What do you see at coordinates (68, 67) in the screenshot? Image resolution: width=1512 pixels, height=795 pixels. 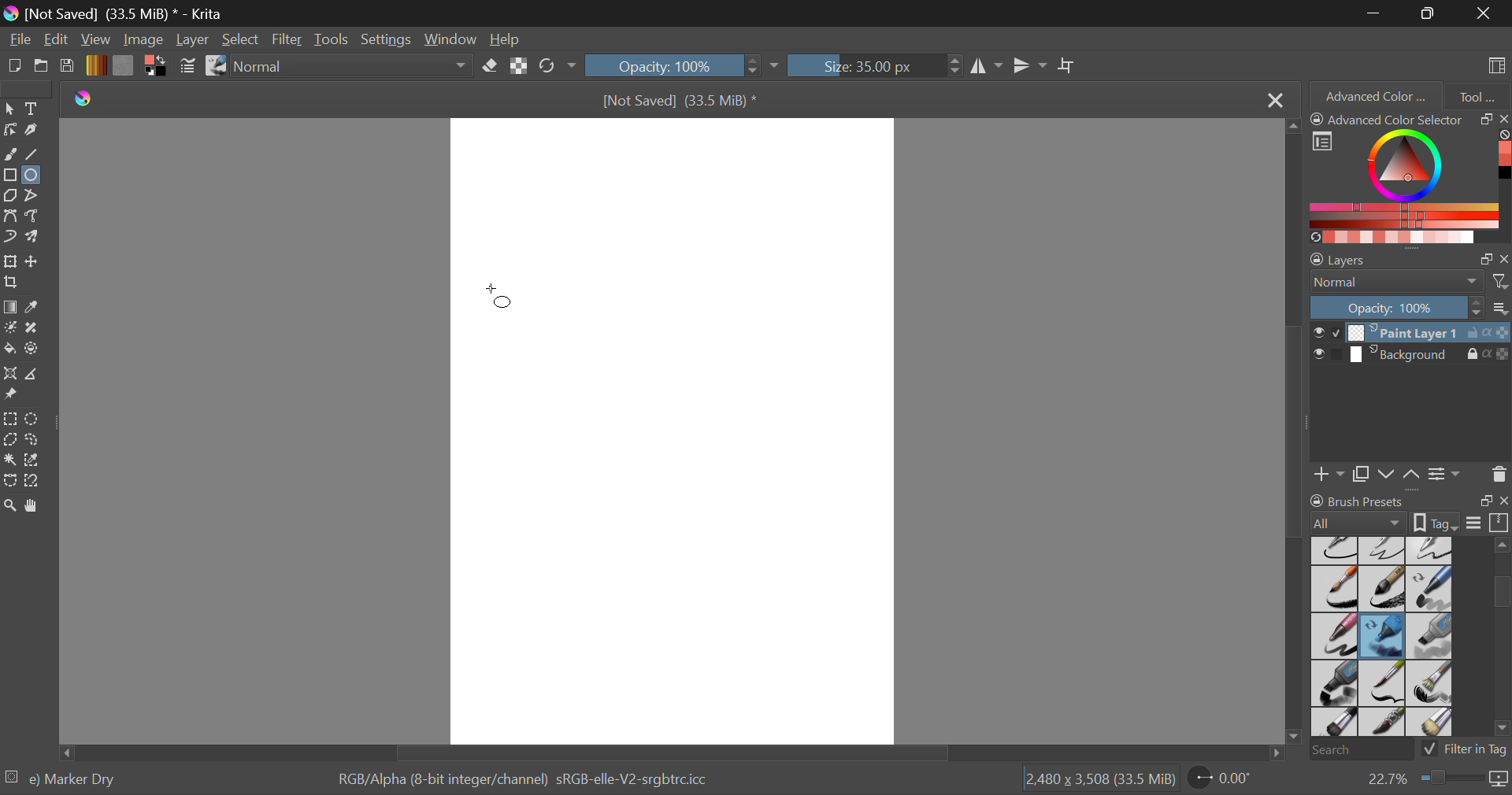 I see `Save` at bounding box center [68, 67].